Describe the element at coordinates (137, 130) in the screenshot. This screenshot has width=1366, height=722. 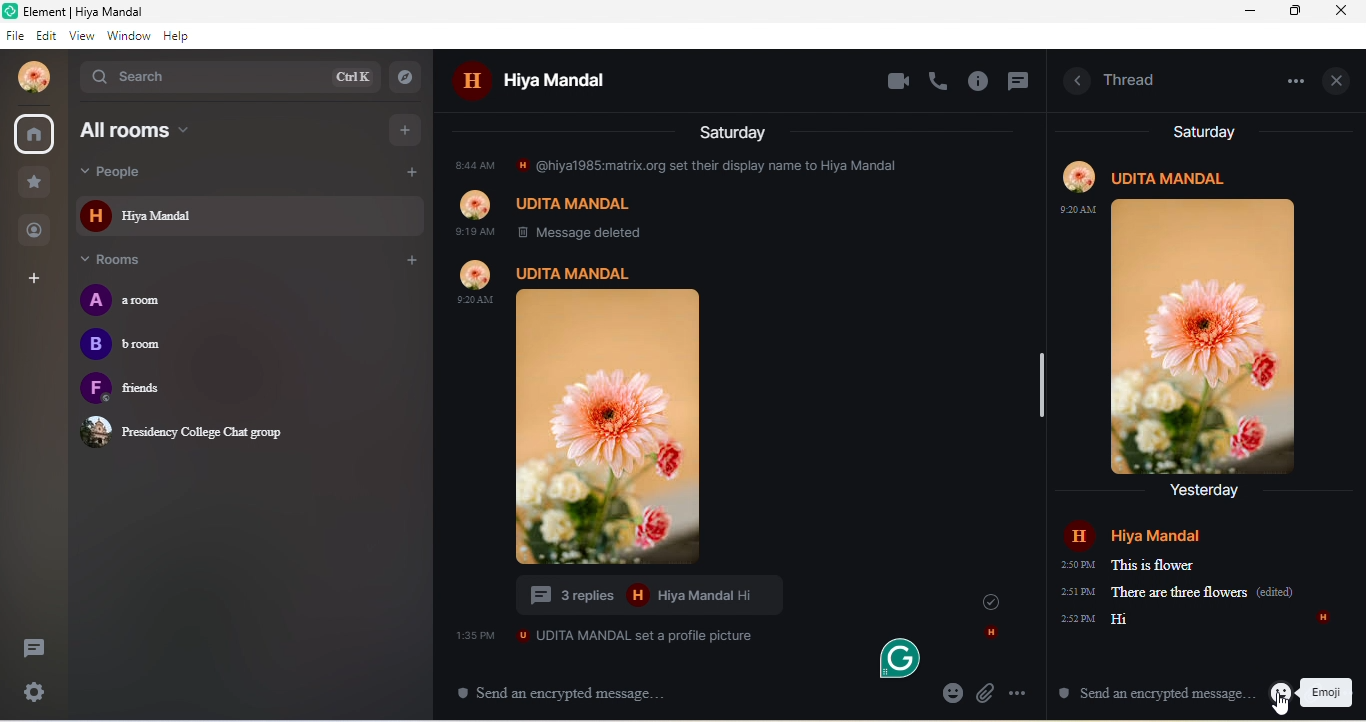
I see `All rooms` at that location.